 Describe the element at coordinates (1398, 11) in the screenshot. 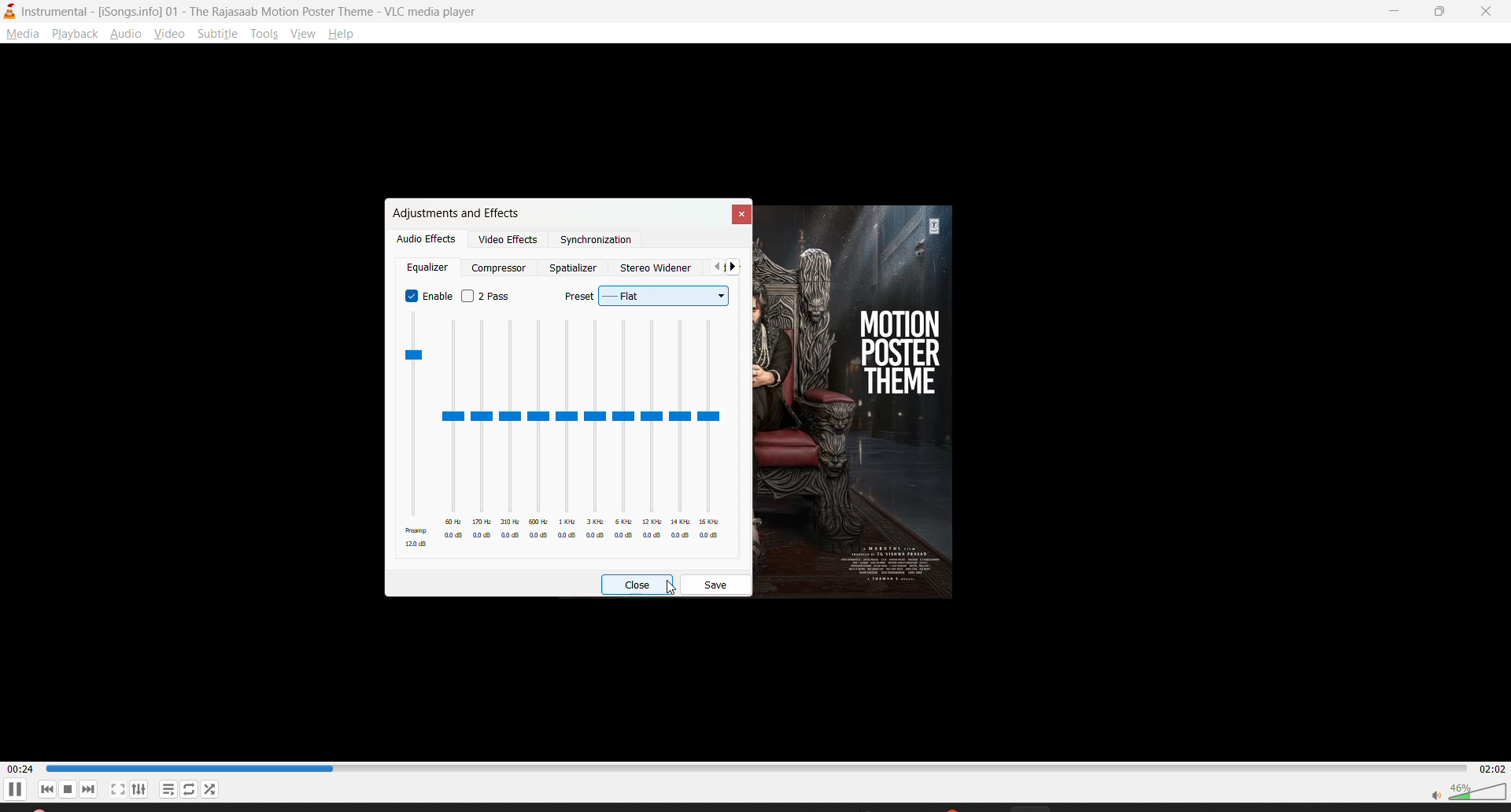

I see `minimize` at that location.